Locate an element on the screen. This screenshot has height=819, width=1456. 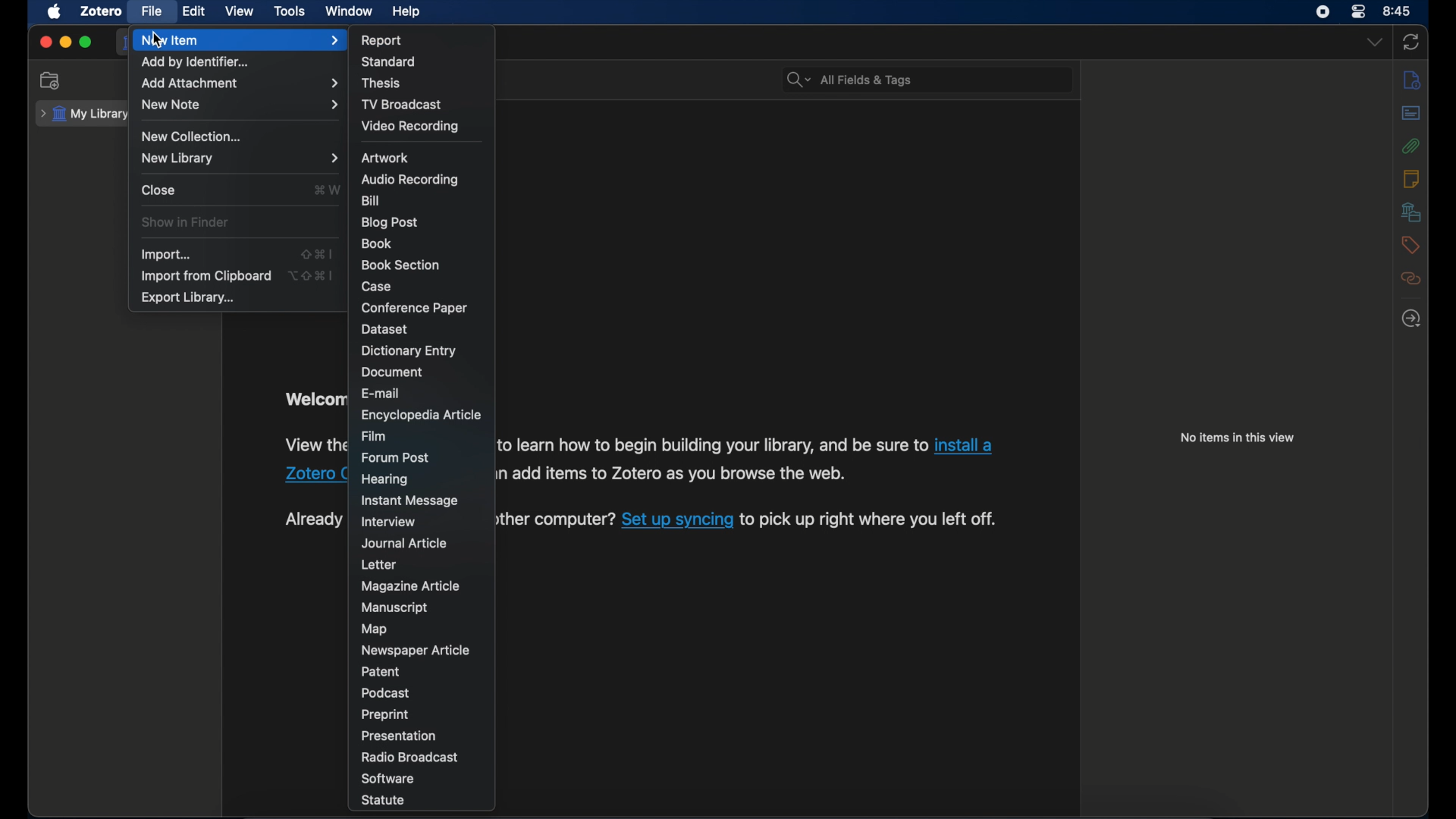
shortcut is located at coordinates (310, 276).